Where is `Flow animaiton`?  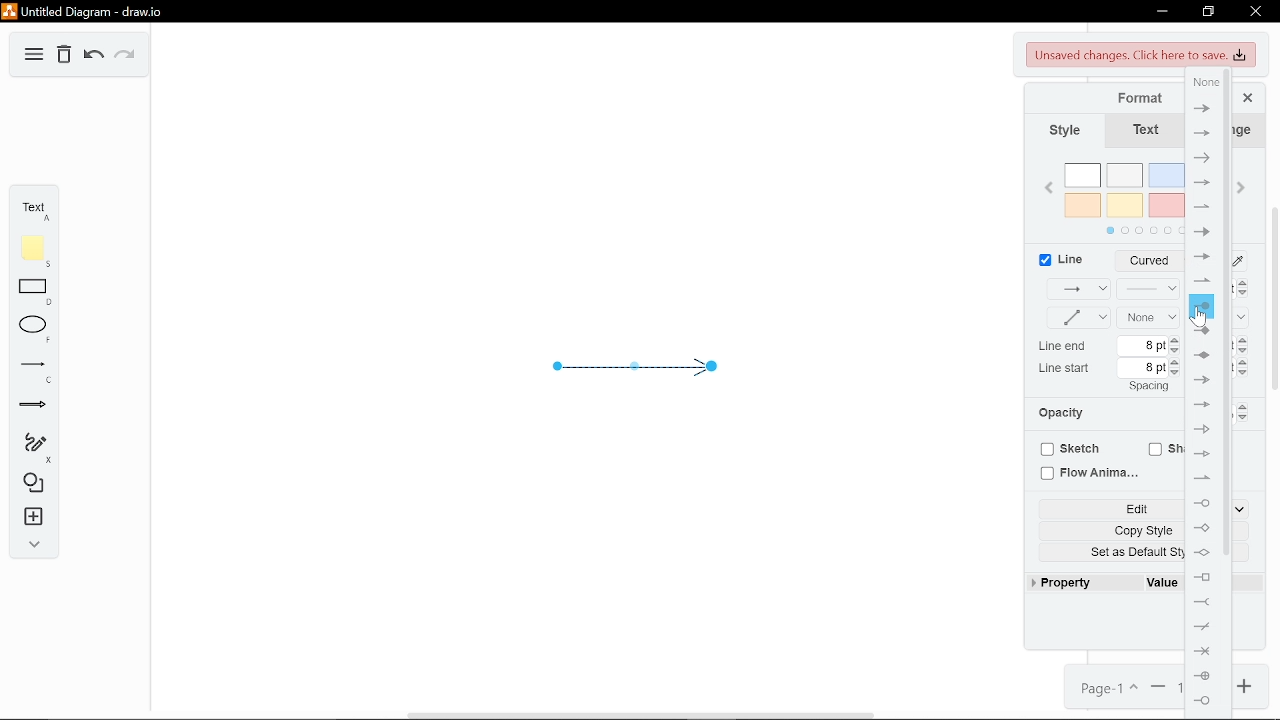 Flow animaiton is located at coordinates (1087, 474).